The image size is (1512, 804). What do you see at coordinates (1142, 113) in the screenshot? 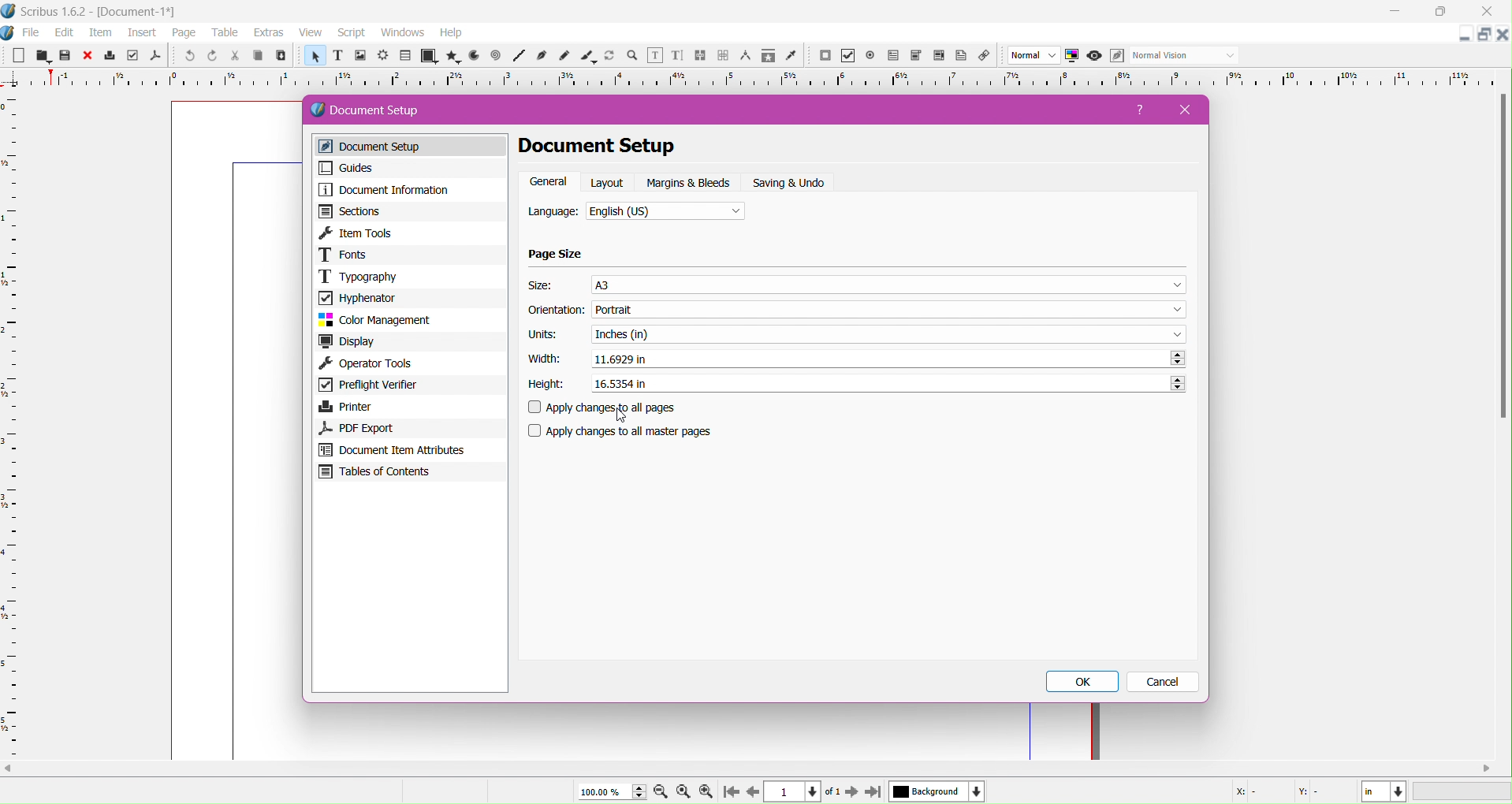
I see `Help` at bounding box center [1142, 113].